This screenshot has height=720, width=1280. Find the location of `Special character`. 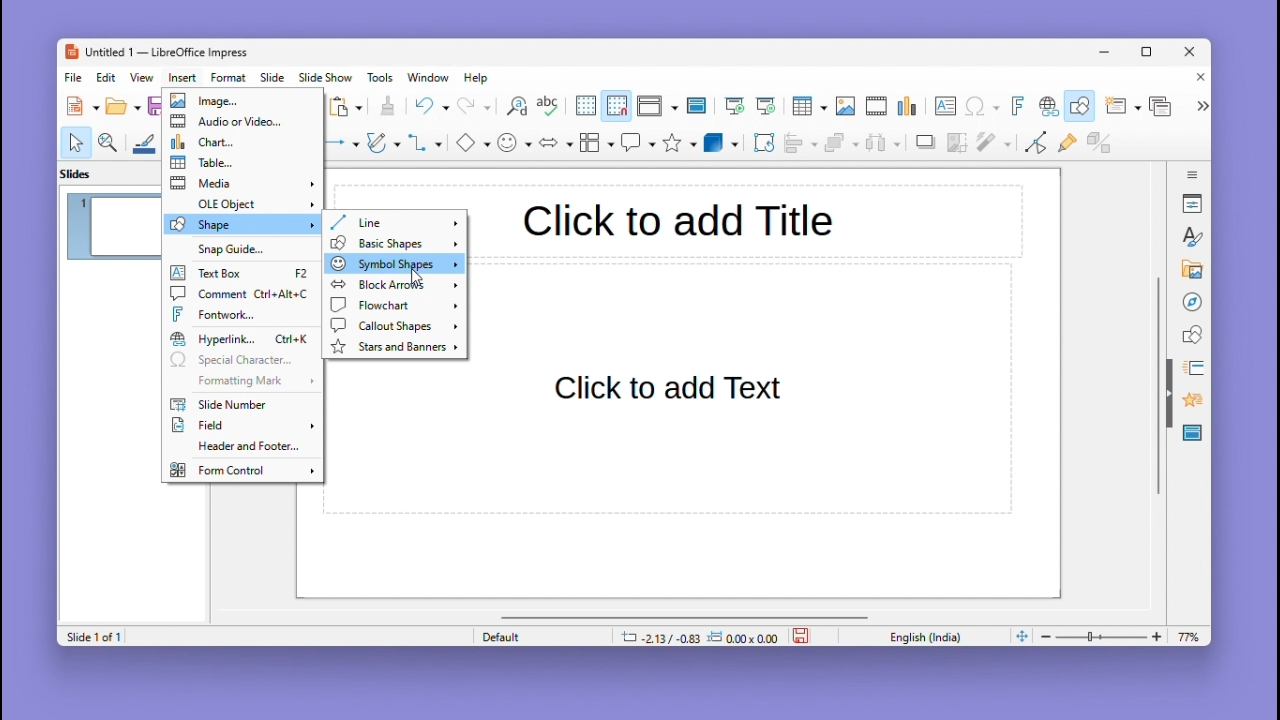

Special character is located at coordinates (242, 361).